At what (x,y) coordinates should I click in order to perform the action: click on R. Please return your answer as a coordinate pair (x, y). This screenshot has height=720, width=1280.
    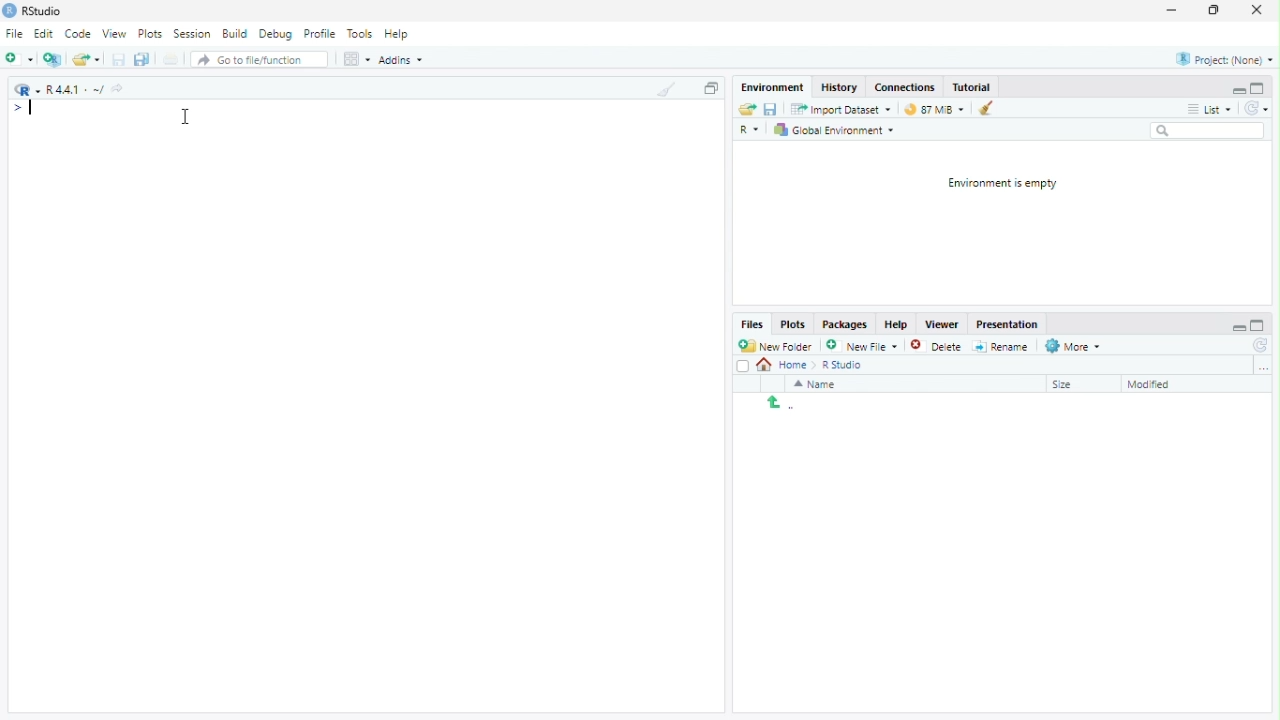
    Looking at the image, I should click on (752, 131).